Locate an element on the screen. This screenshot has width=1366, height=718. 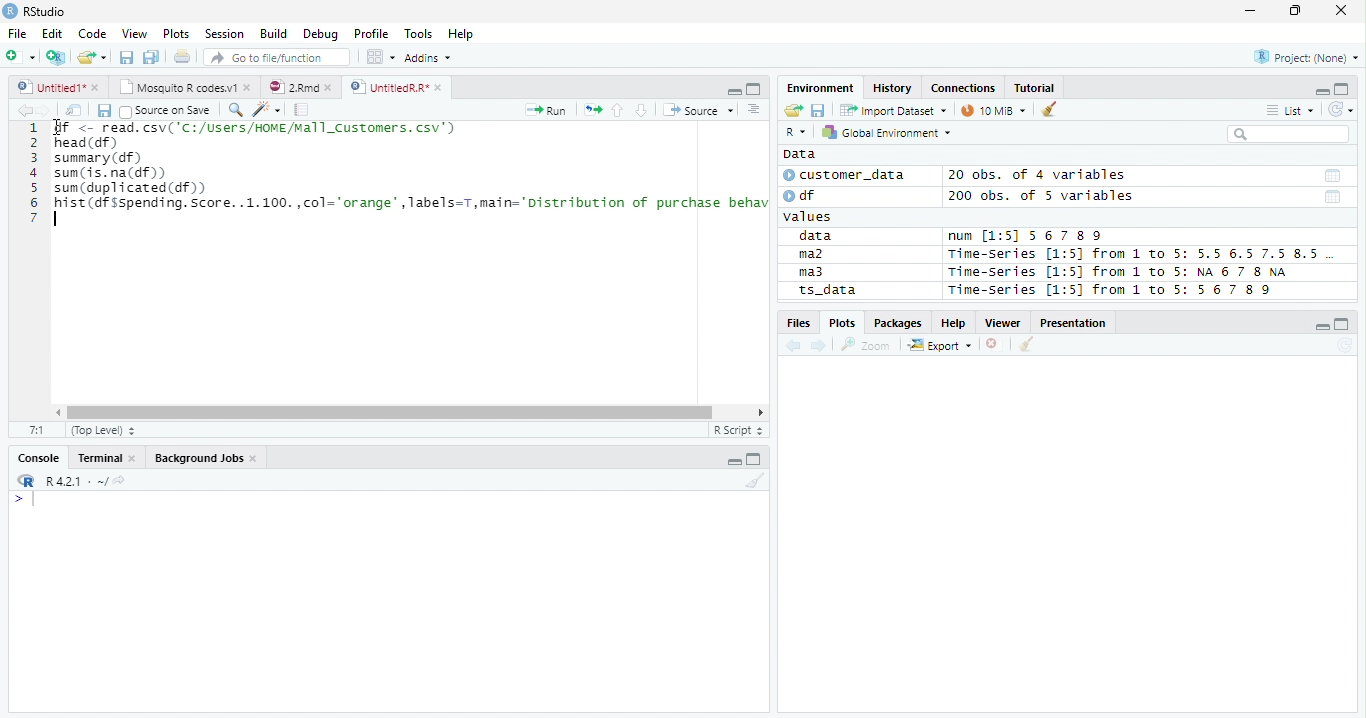
customer_data is located at coordinates (848, 175).